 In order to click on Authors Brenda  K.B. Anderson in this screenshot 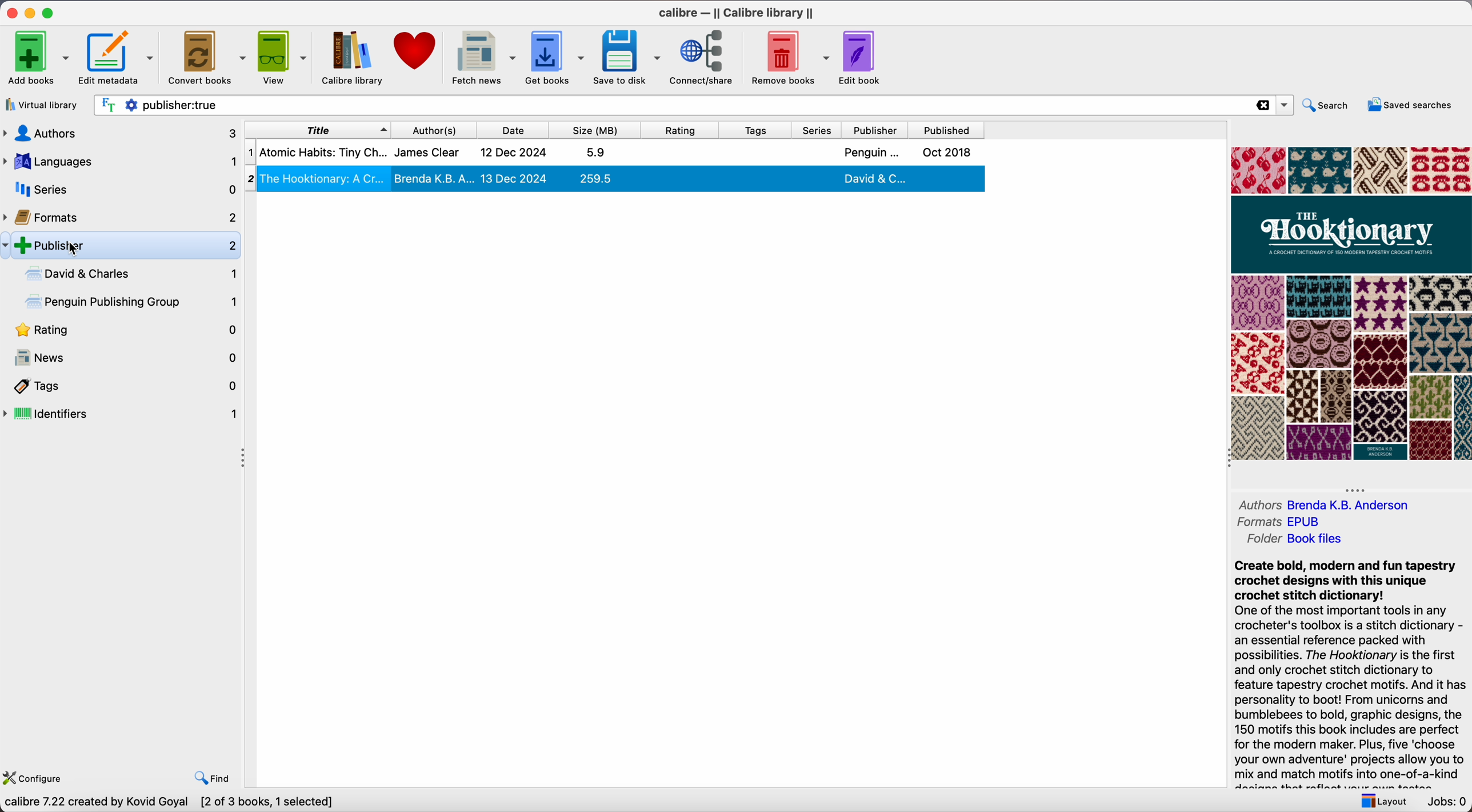, I will do `click(1323, 504)`.